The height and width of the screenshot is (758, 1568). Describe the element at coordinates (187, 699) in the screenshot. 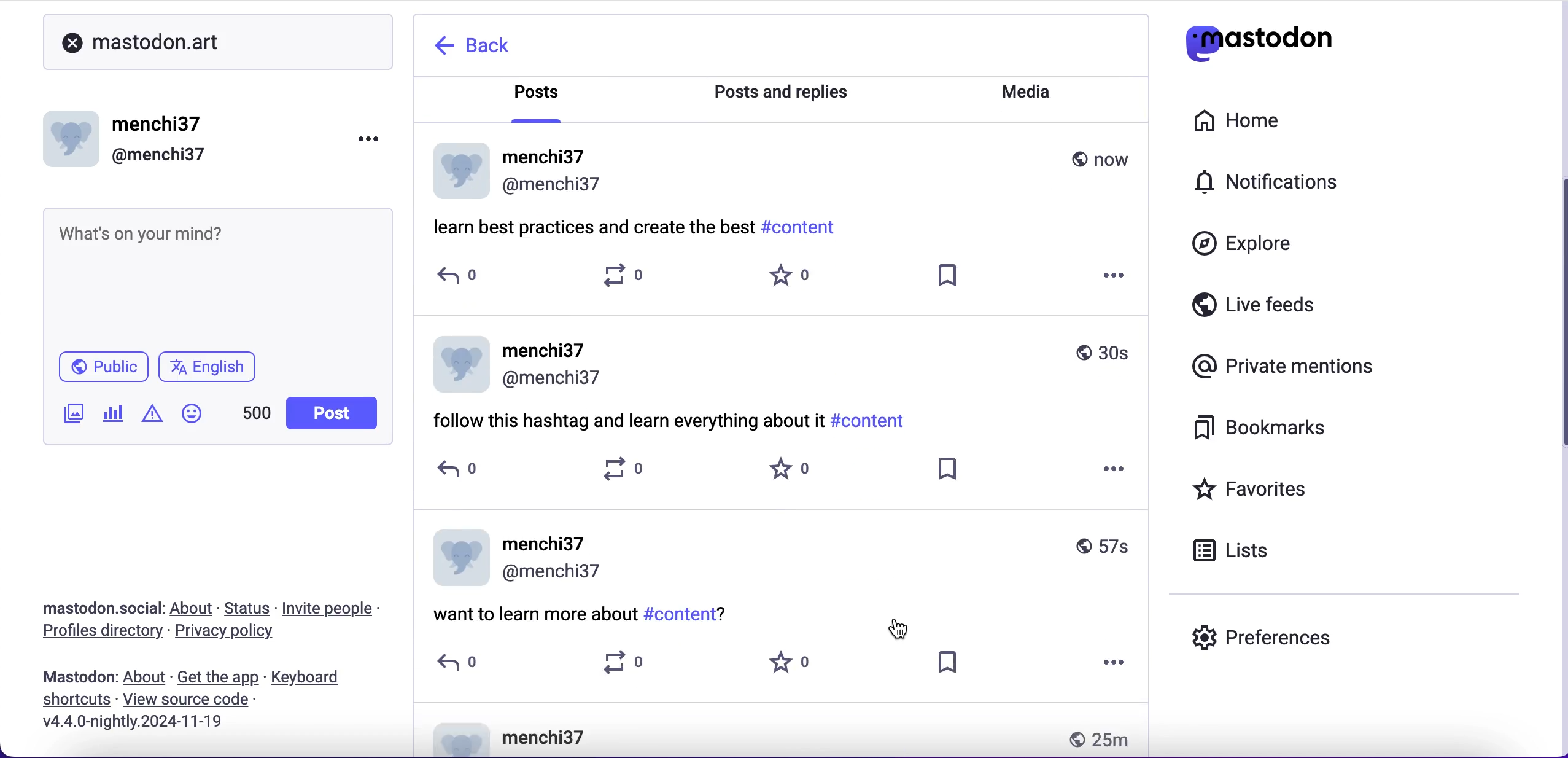

I see `` at that location.